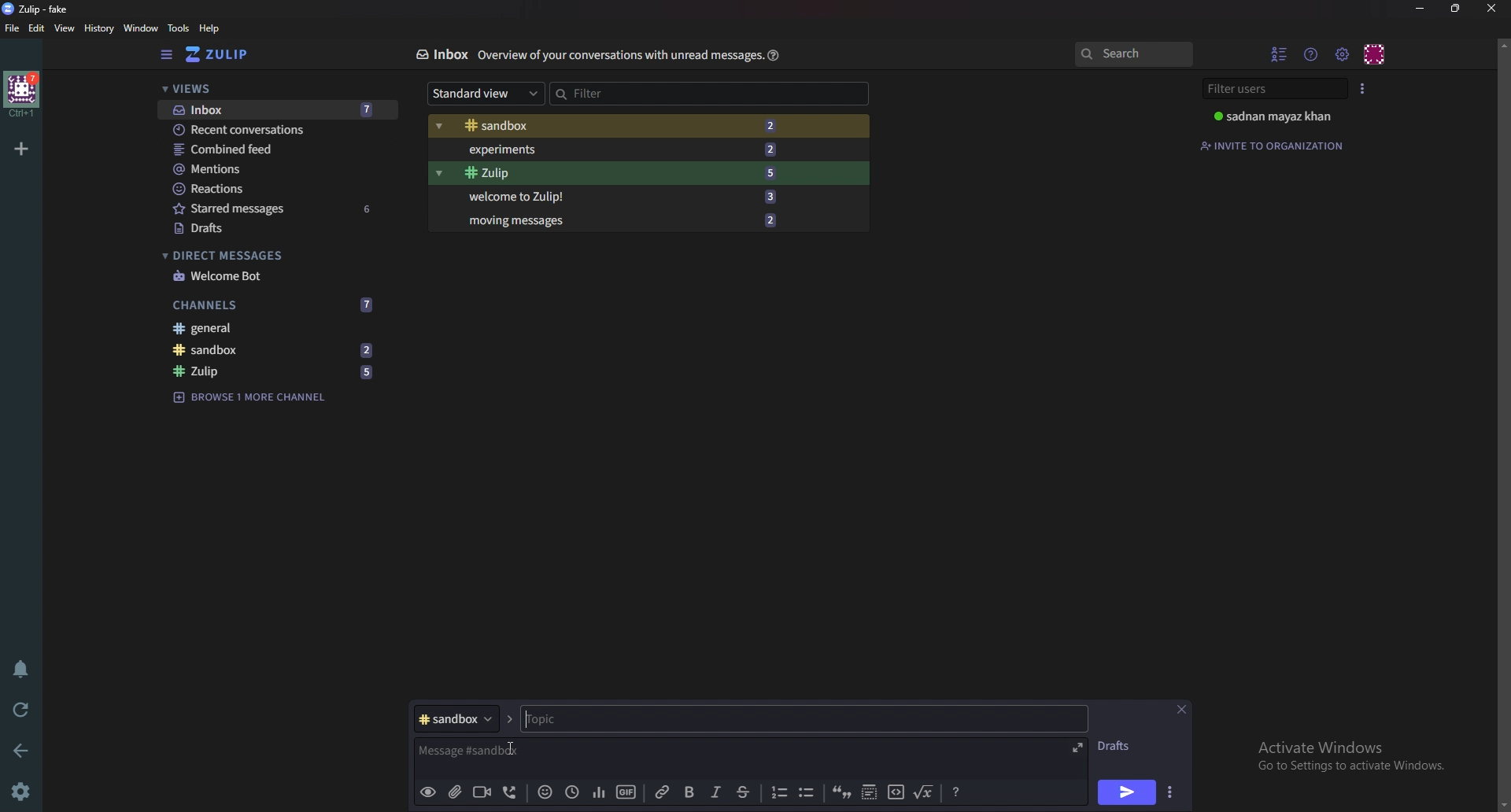 The image size is (1511, 812). Describe the element at coordinates (626, 792) in the screenshot. I see `gif` at that location.